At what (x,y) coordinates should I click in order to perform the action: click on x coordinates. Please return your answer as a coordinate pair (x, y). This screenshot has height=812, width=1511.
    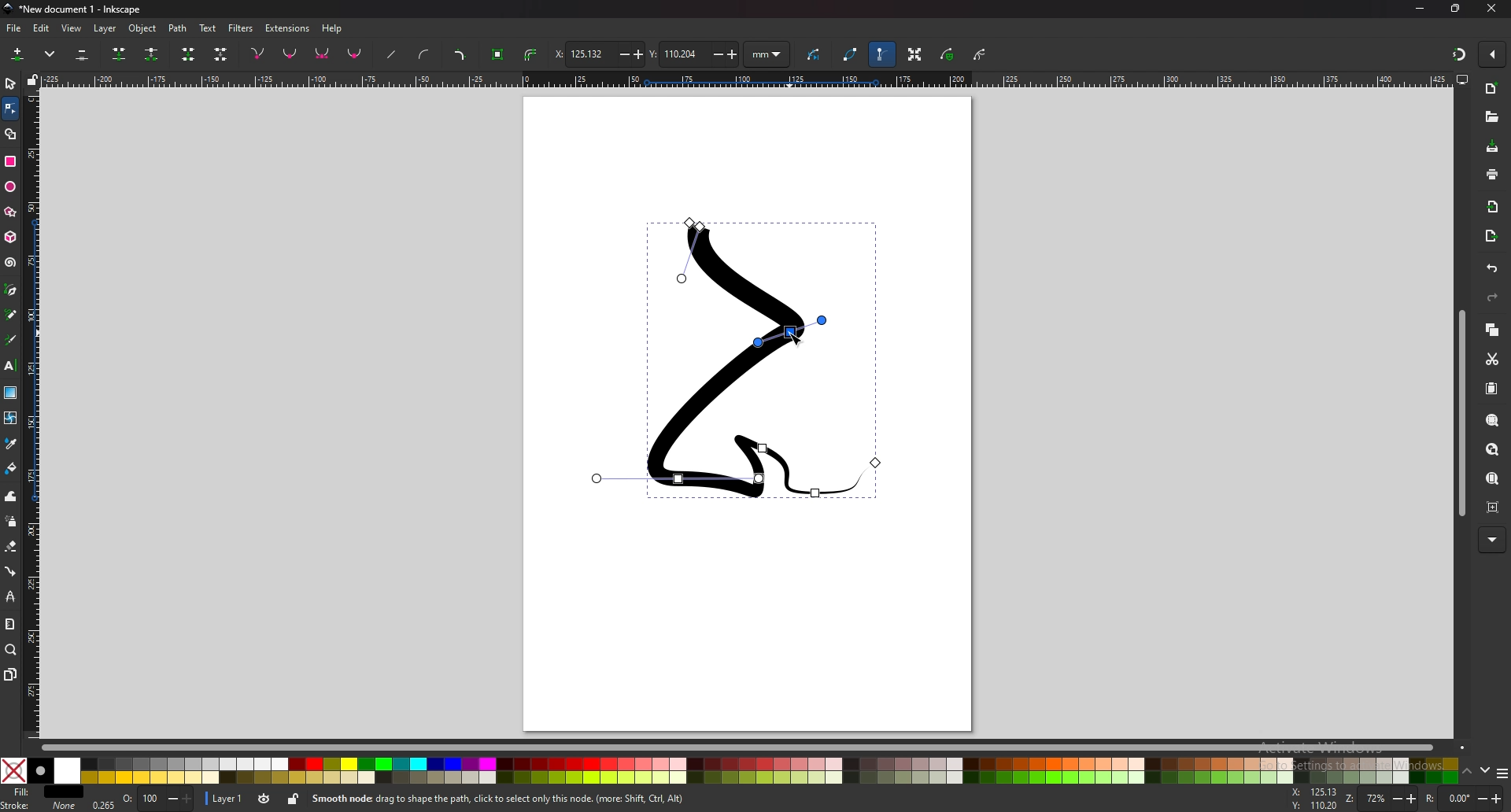
    Looking at the image, I should click on (597, 54).